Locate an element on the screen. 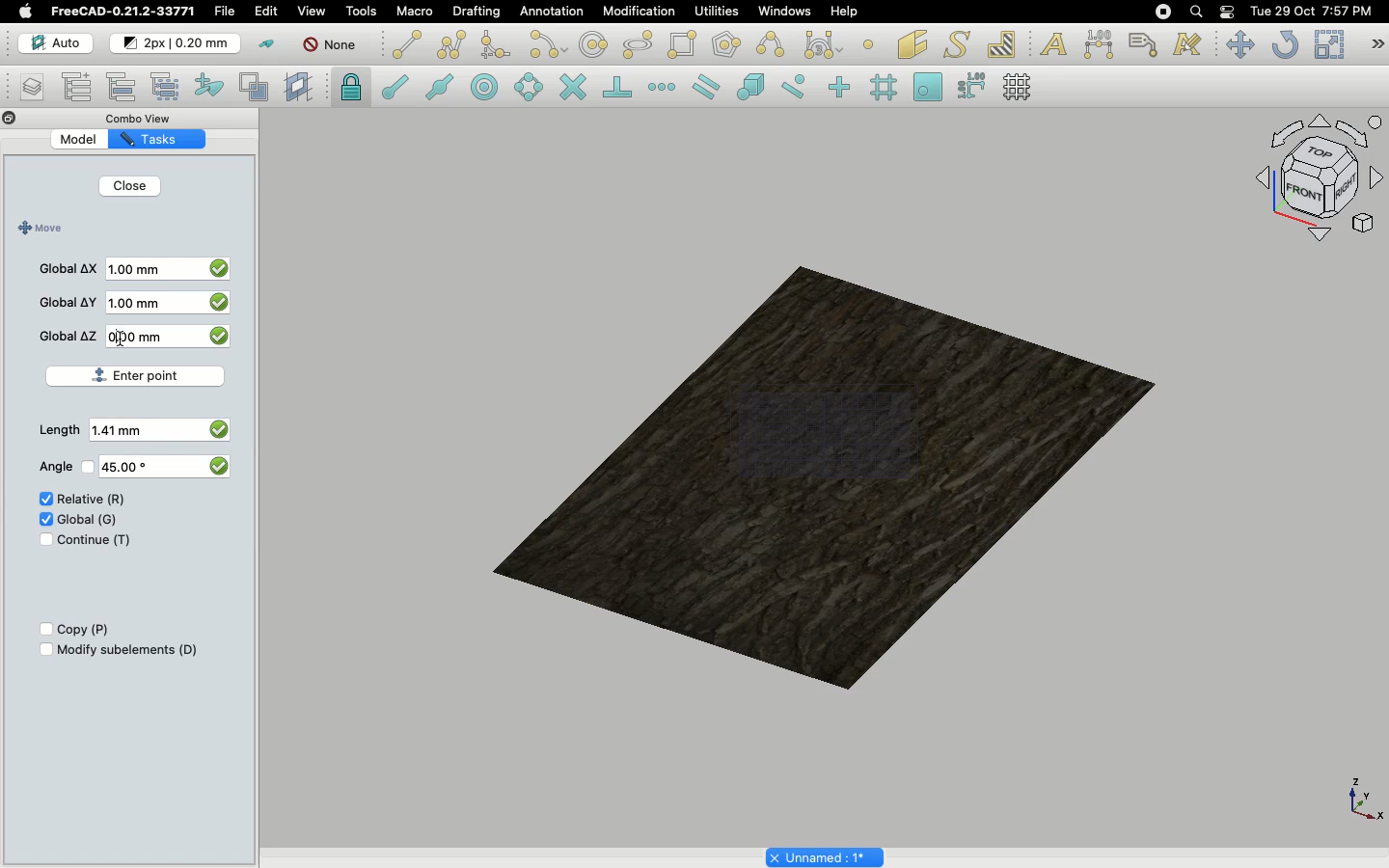 Image resolution: width=1389 pixels, height=868 pixels. Snap perpendicular is located at coordinates (620, 89).